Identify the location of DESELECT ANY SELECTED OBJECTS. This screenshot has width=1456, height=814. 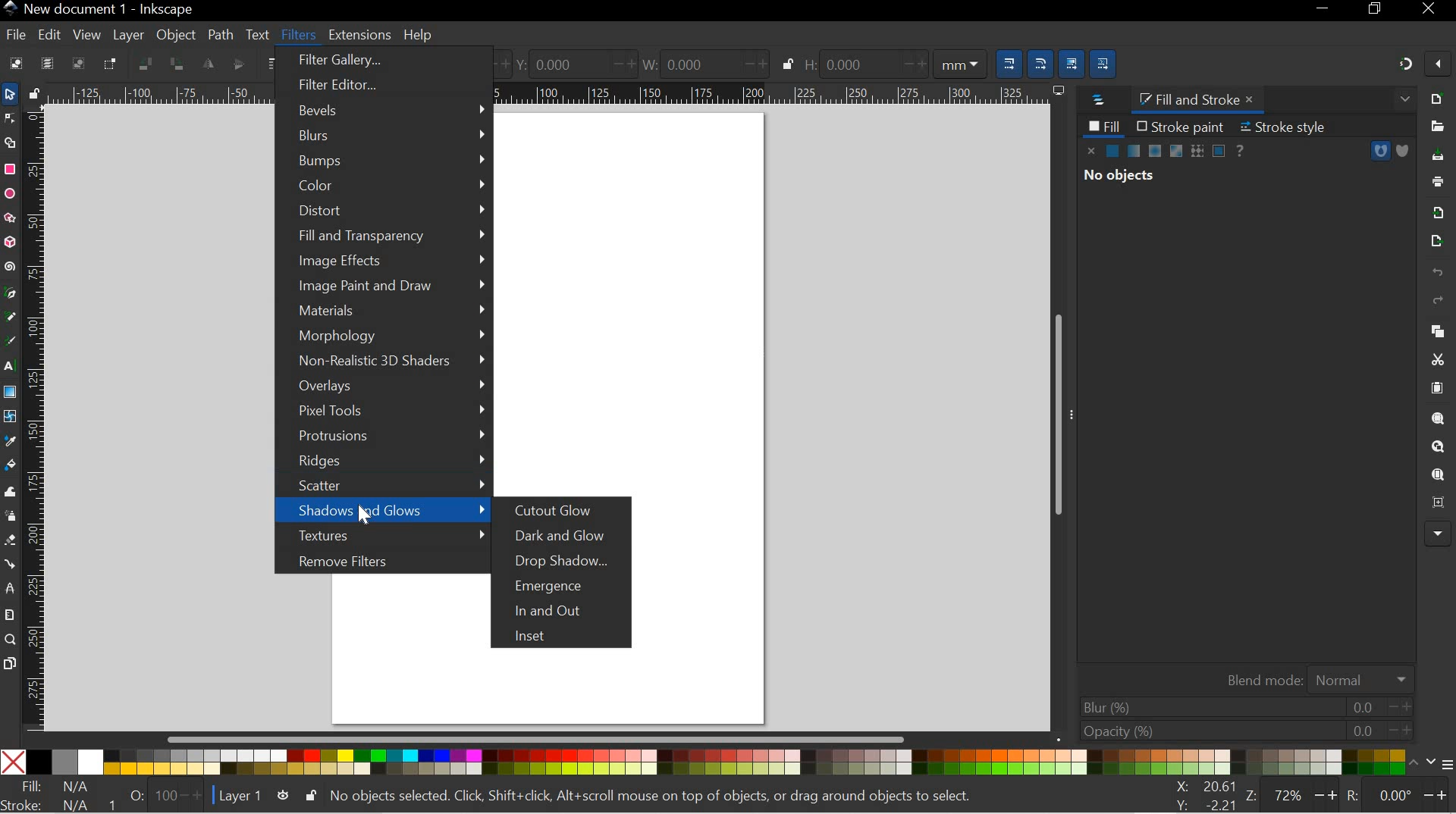
(78, 63).